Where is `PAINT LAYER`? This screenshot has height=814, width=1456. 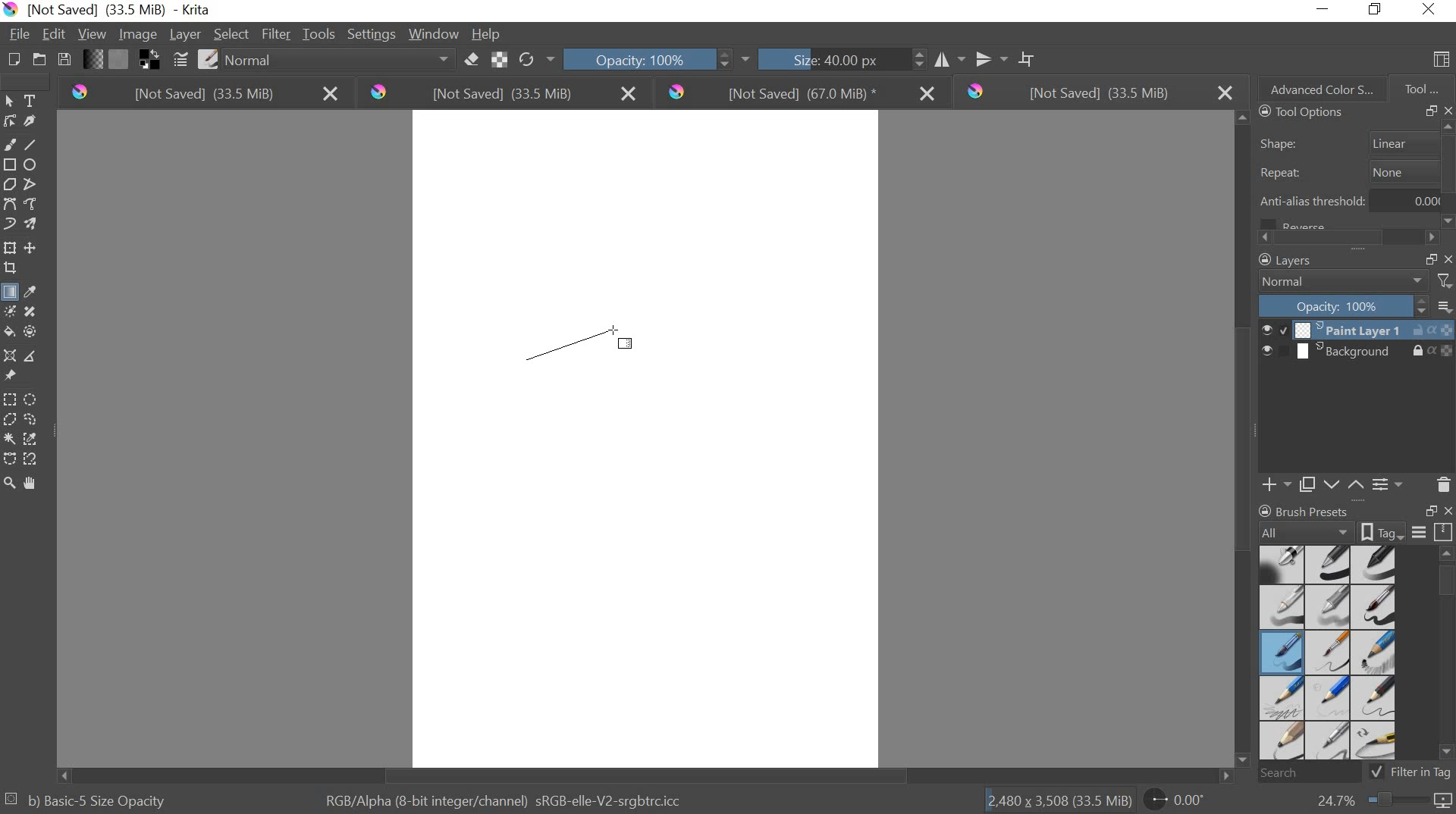
PAINT LAYER is located at coordinates (1357, 330).